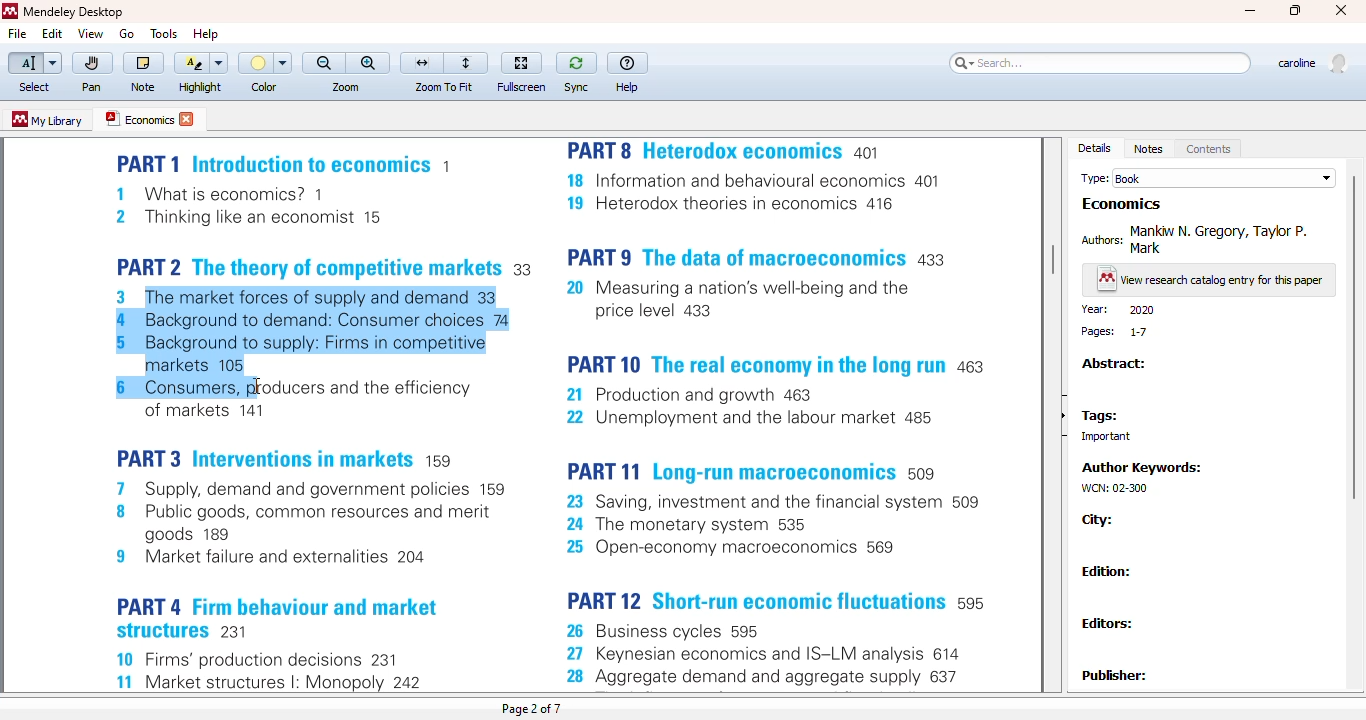 The width and height of the screenshot is (1366, 720). What do you see at coordinates (1099, 417) in the screenshot?
I see `tags: ` at bounding box center [1099, 417].